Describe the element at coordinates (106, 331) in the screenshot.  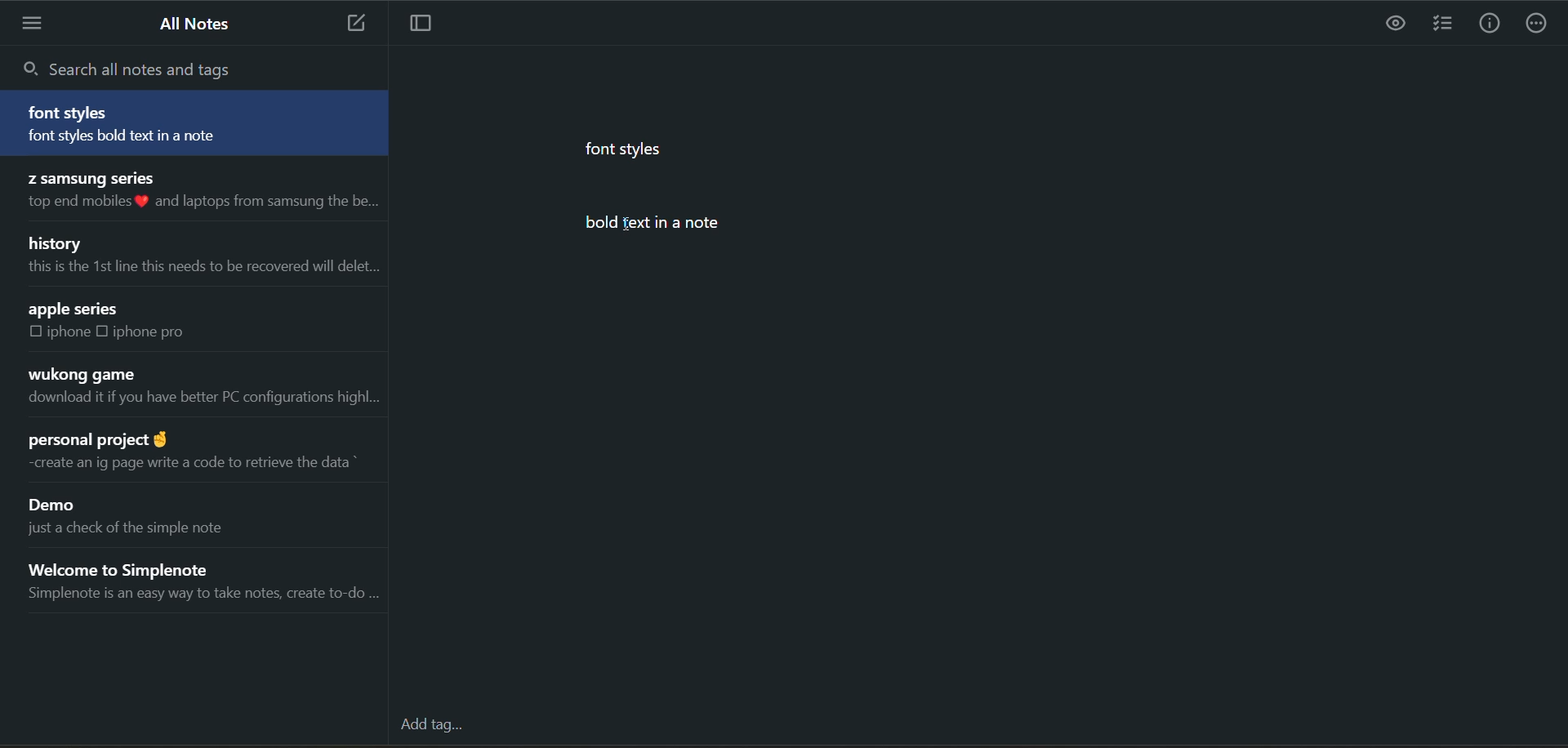
I see `checkbox` at that location.